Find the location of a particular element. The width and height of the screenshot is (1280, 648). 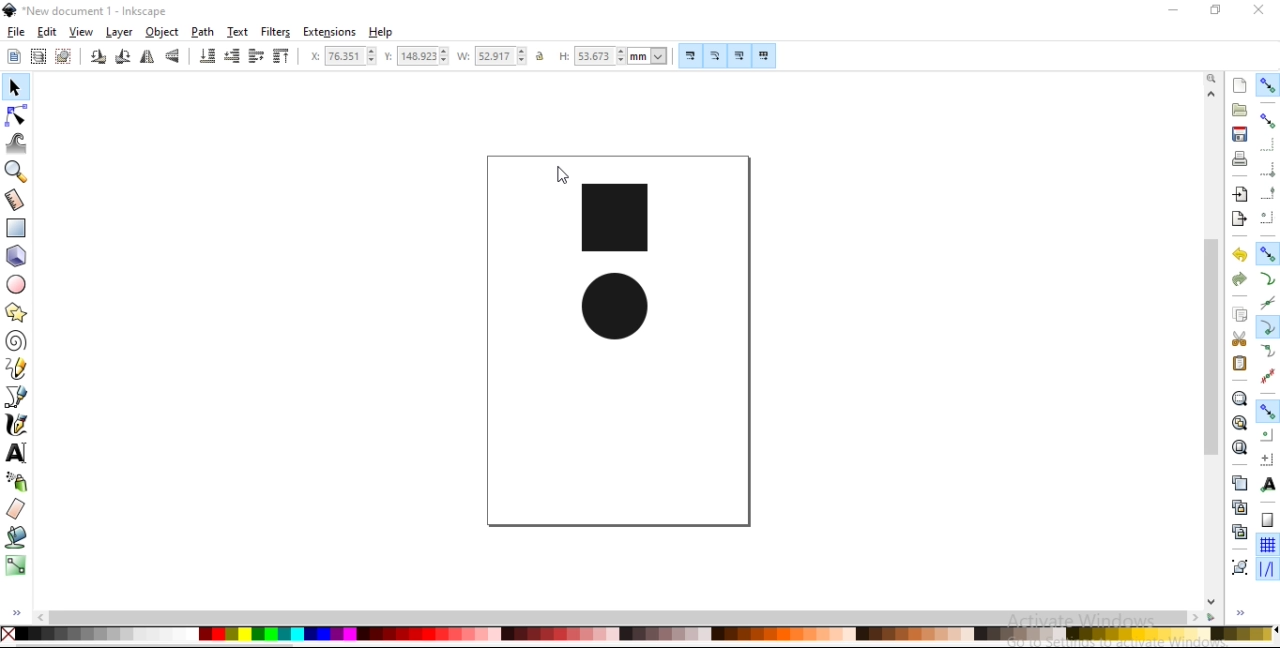

save document is located at coordinates (1239, 133).